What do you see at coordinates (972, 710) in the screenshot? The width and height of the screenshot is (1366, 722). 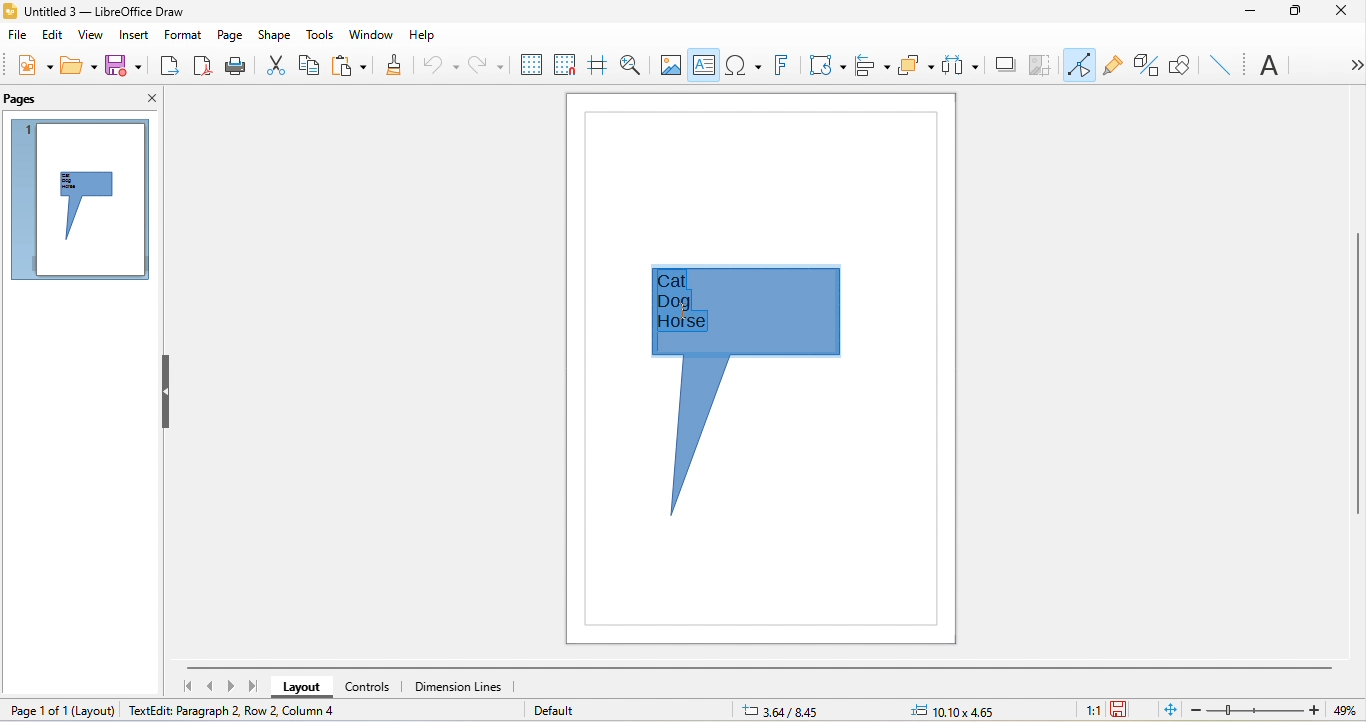 I see `10.10x4.65` at bounding box center [972, 710].